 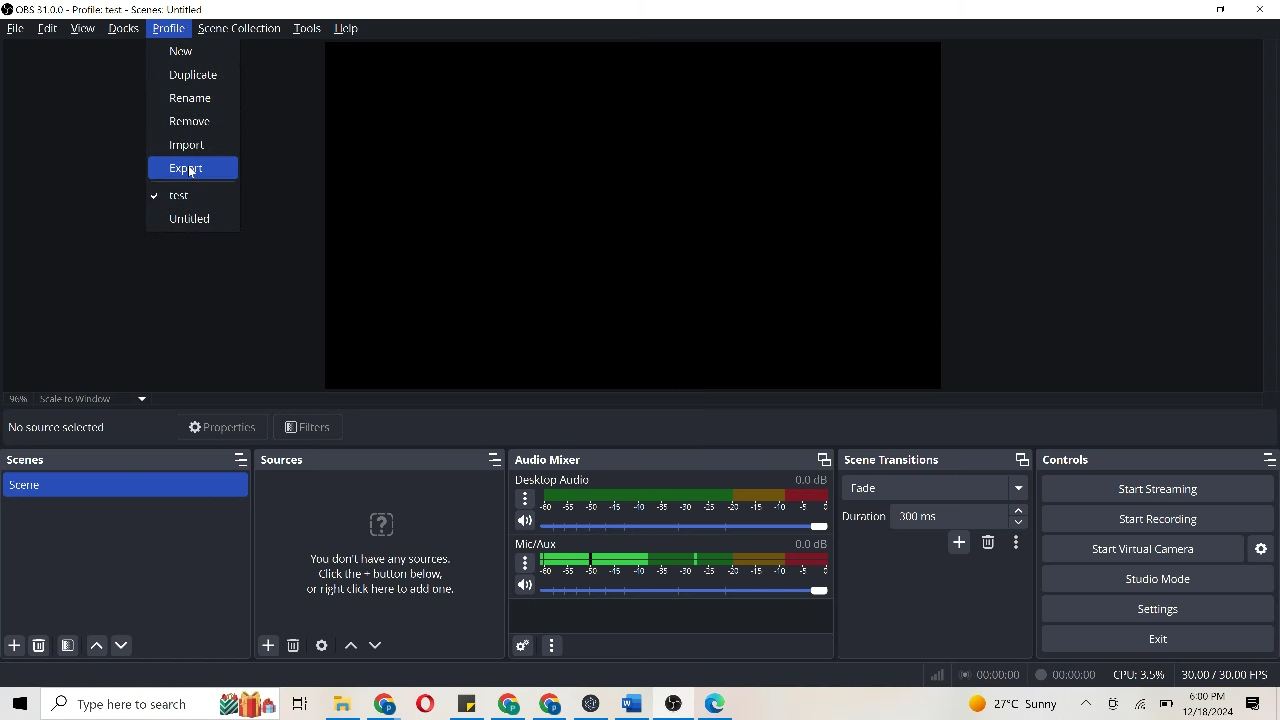 I want to click on icons, so click(x=267, y=702).